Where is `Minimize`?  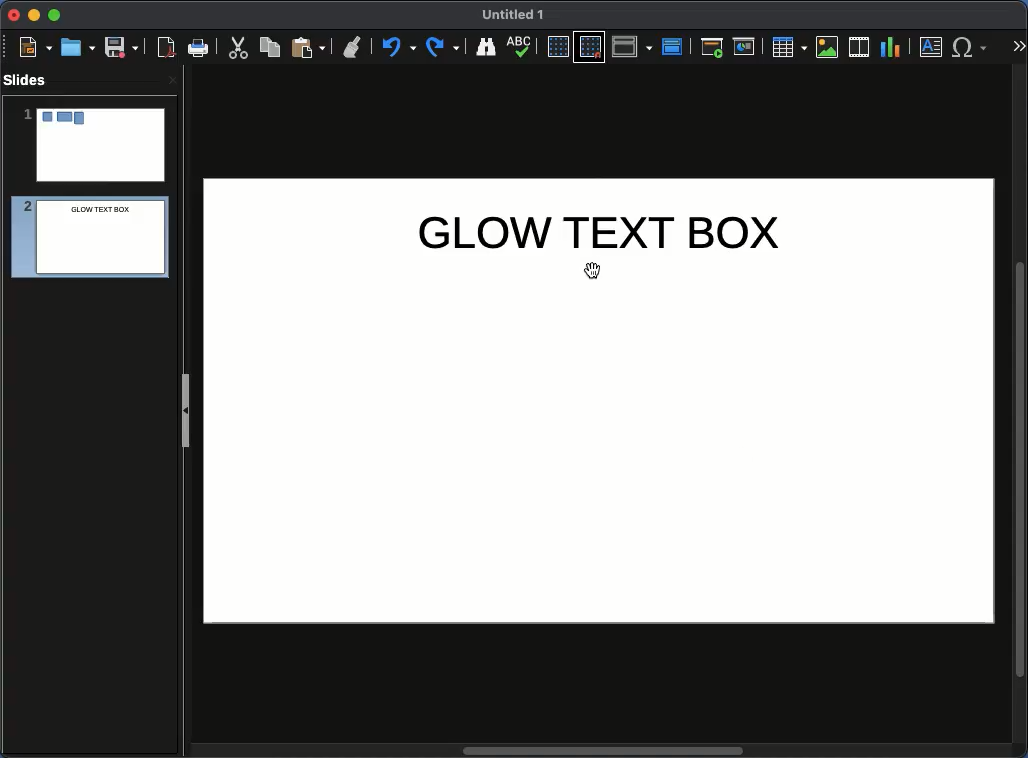
Minimize is located at coordinates (33, 14).